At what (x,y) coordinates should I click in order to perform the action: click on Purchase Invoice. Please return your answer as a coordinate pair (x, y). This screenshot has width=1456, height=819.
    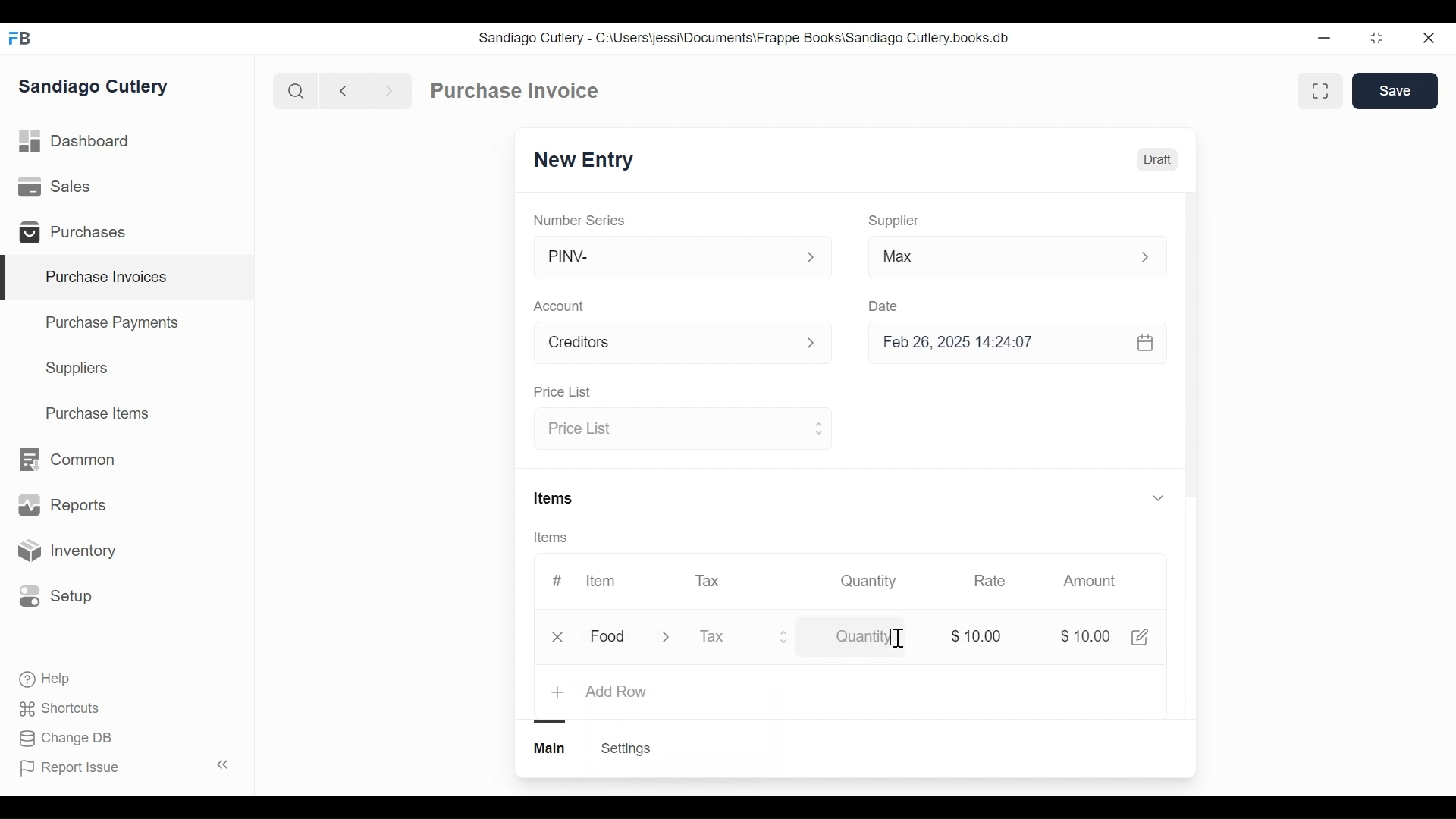
    Looking at the image, I should click on (516, 91).